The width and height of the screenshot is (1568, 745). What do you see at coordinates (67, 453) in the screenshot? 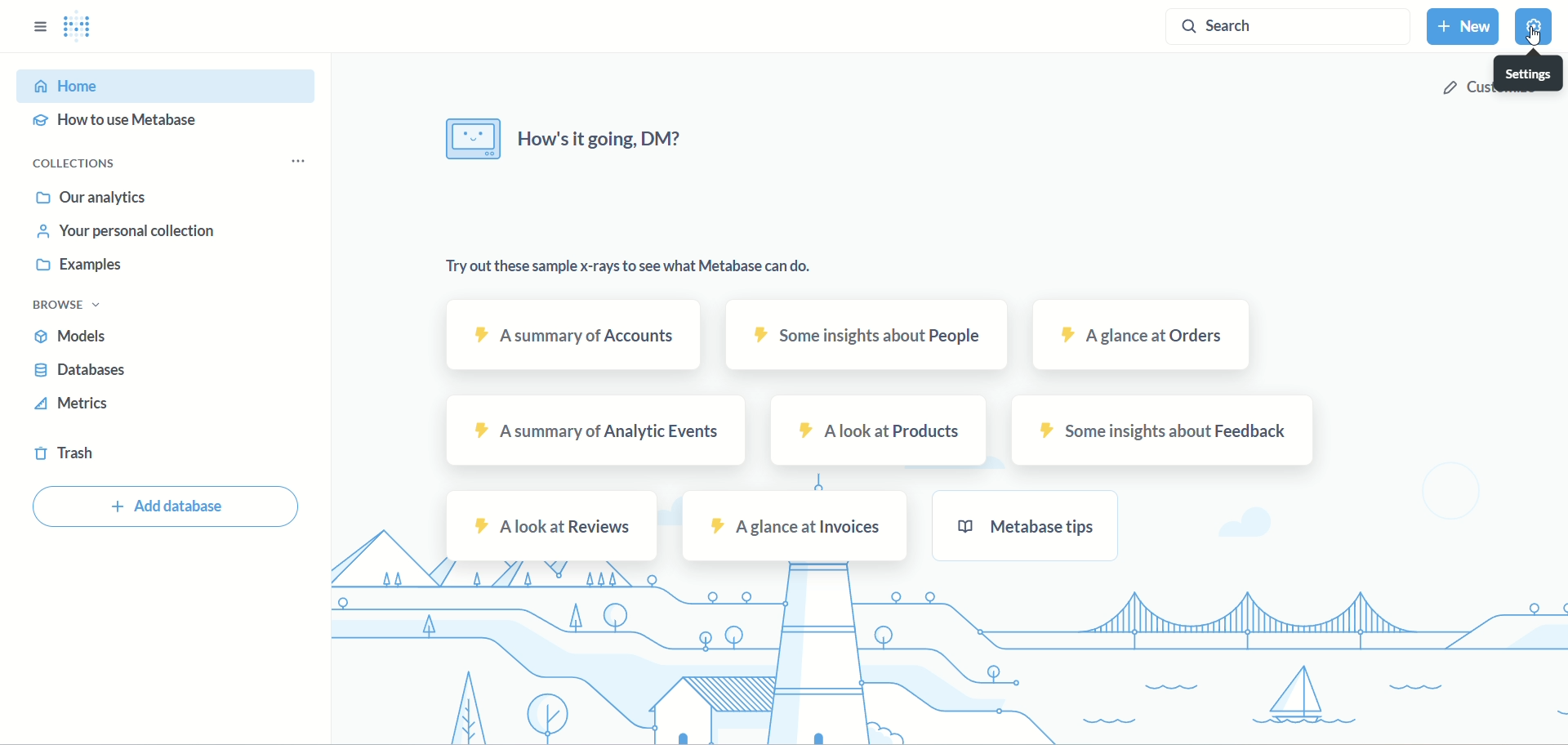
I see `trash` at bounding box center [67, 453].